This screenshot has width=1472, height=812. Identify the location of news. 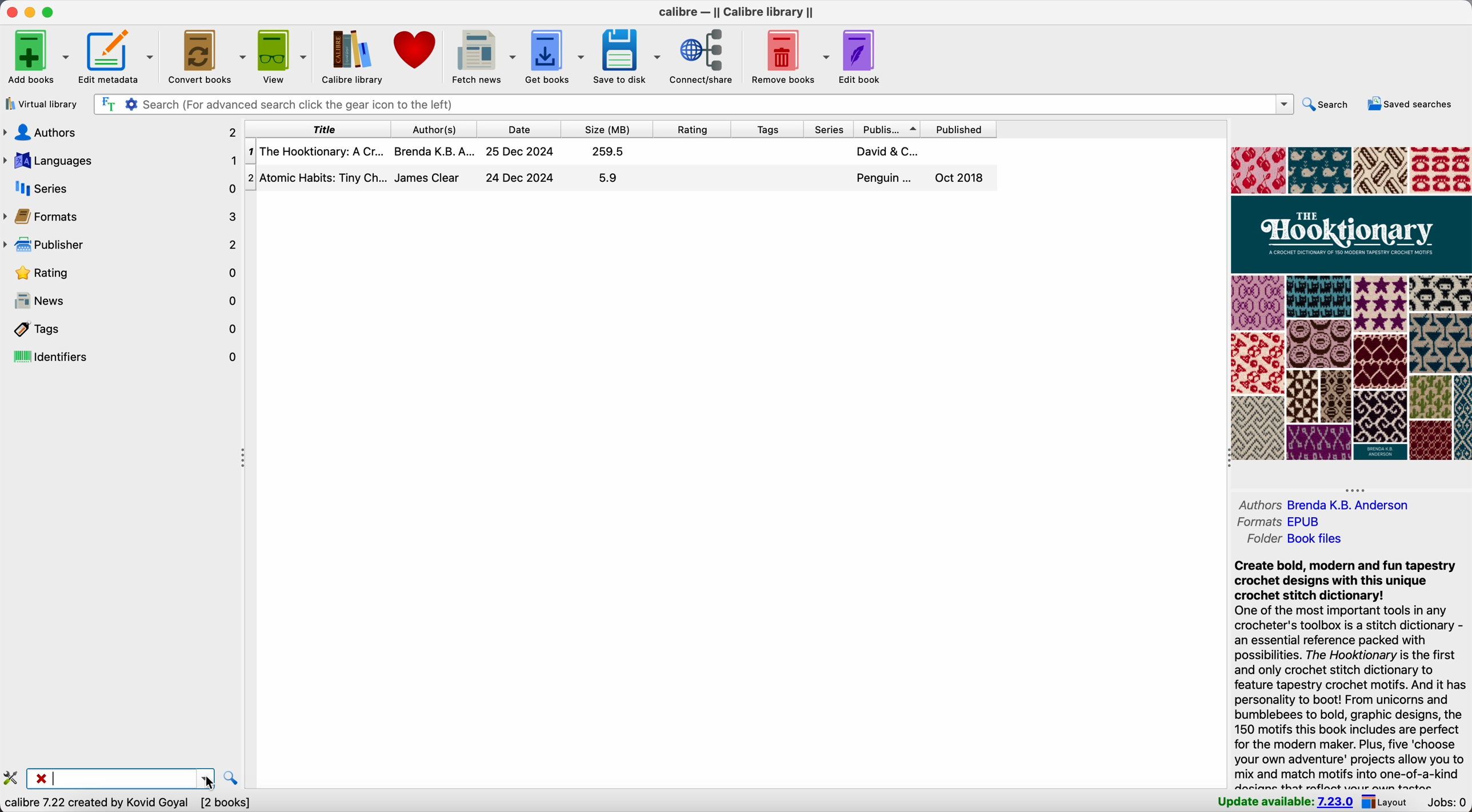
(122, 299).